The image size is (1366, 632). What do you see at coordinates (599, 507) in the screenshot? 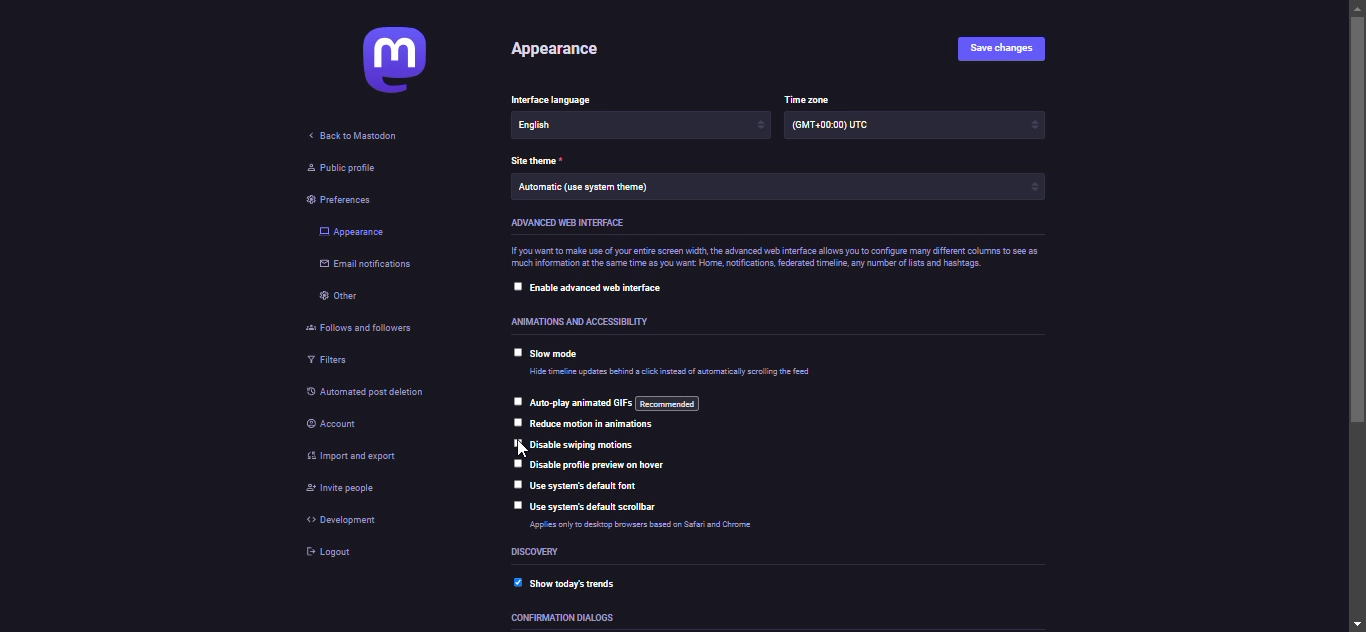
I see `use system's default scrollbar` at bounding box center [599, 507].